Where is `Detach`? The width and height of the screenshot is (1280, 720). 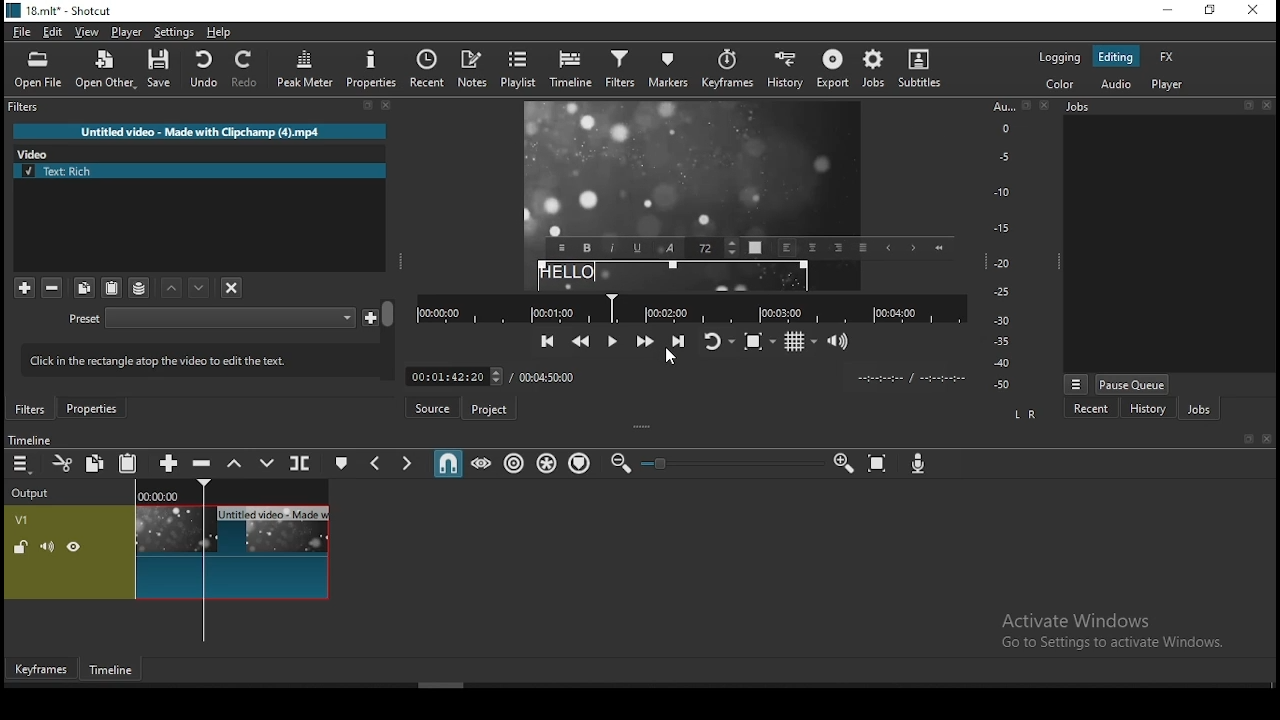
Detach is located at coordinates (1248, 105).